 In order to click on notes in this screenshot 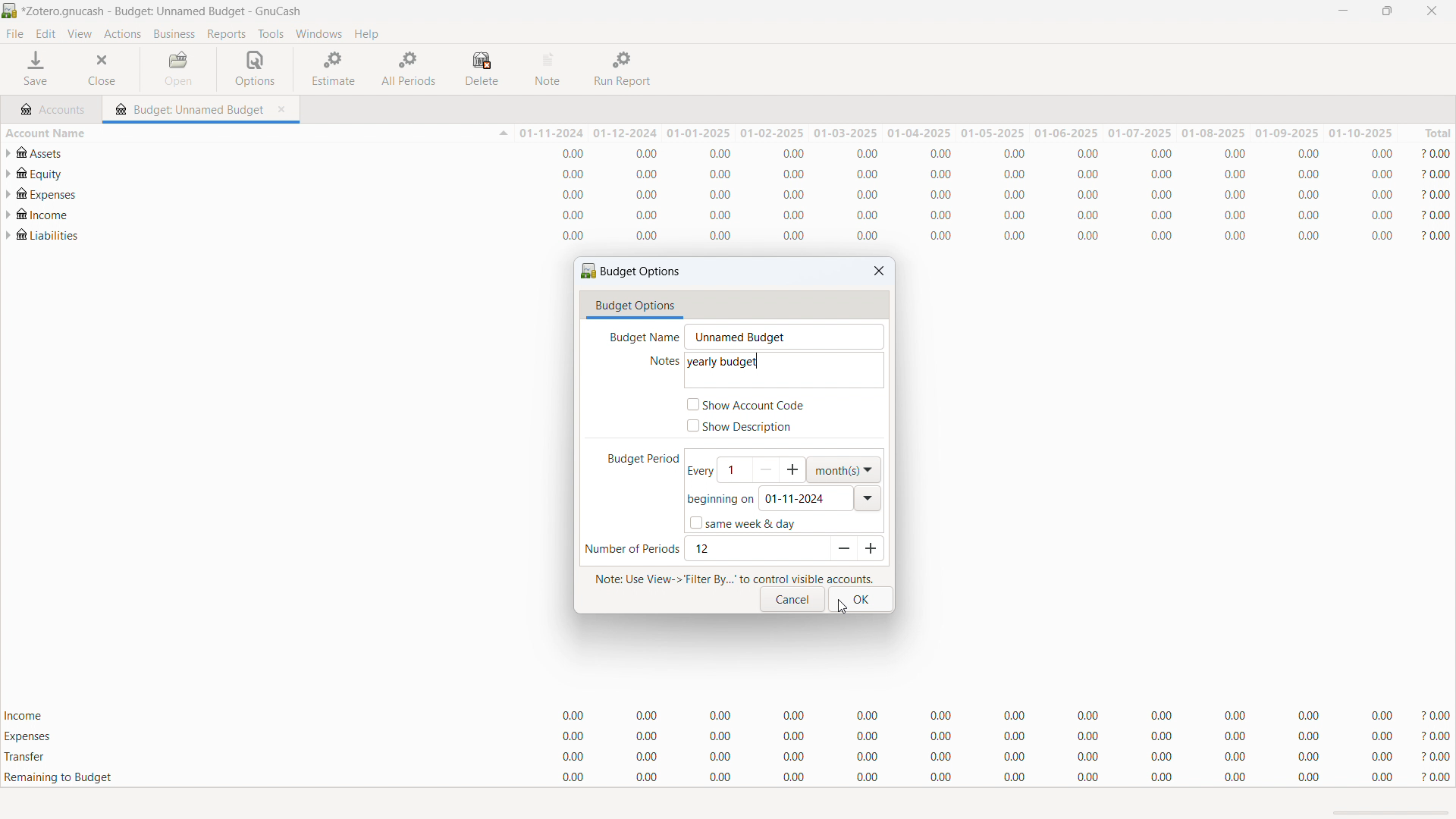, I will do `click(657, 363)`.